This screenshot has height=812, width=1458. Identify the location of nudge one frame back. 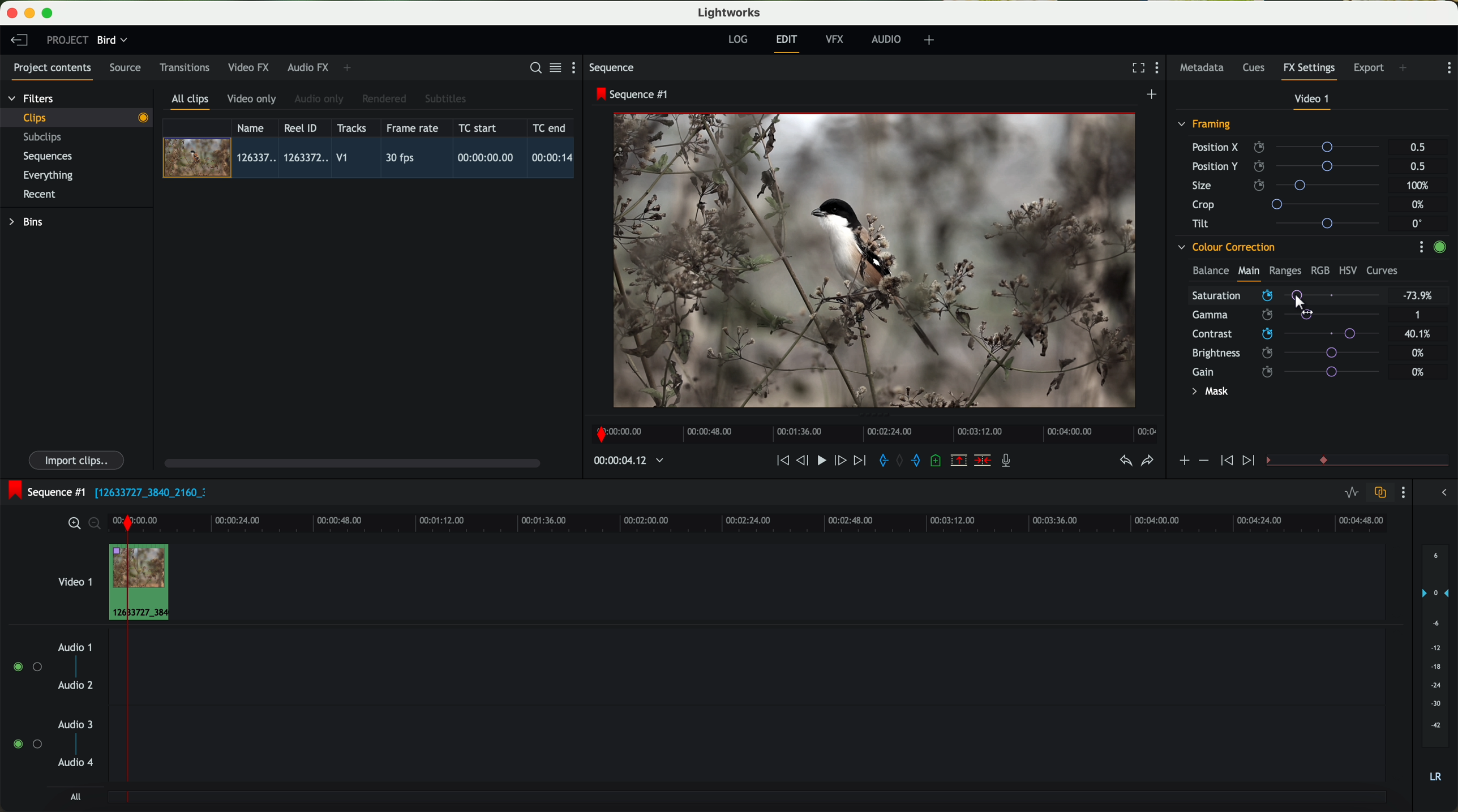
(804, 462).